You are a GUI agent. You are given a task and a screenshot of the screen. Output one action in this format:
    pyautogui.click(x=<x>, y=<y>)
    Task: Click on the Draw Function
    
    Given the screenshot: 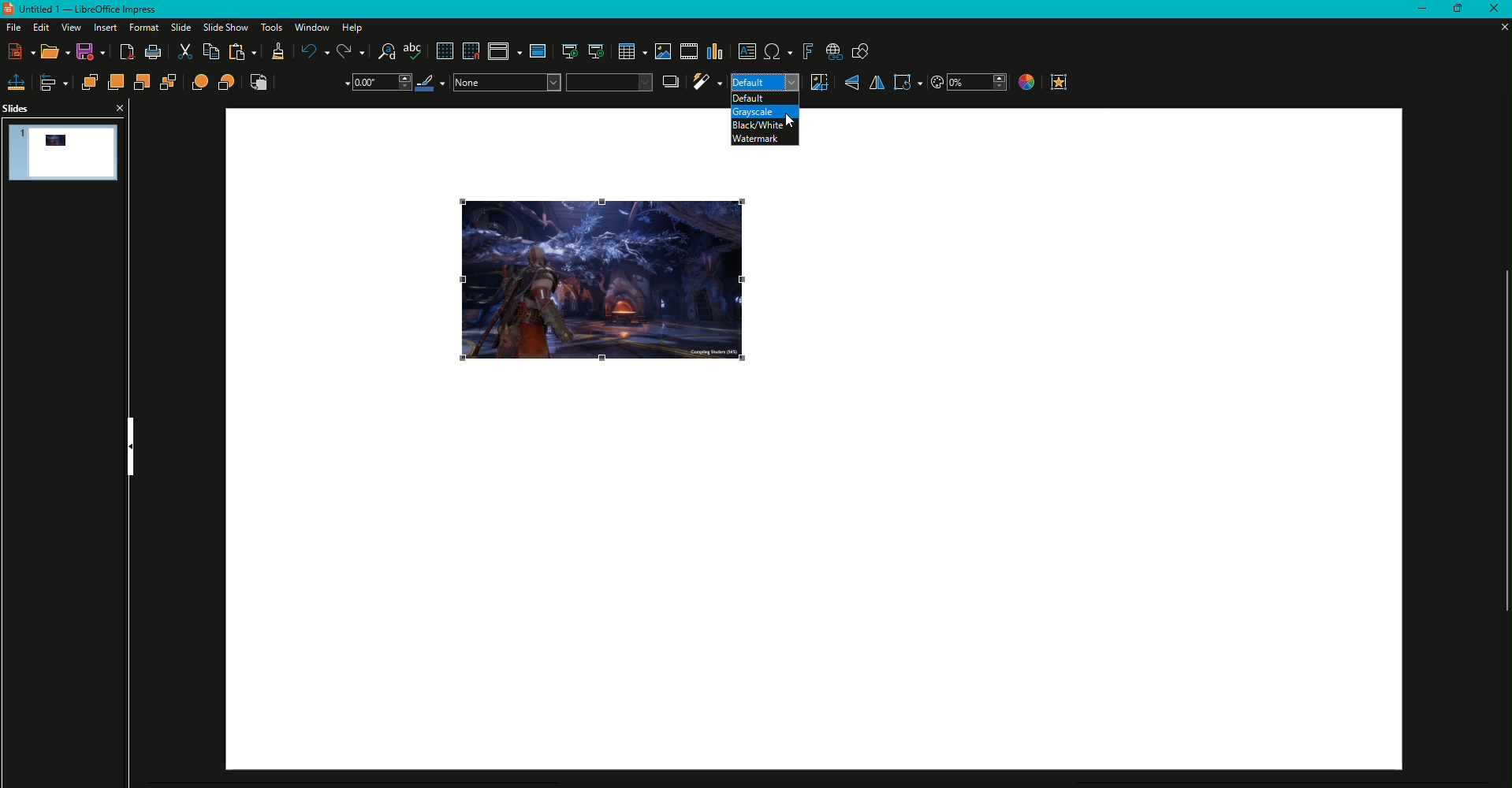 What is the action you would take?
    pyautogui.click(x=861, y=53)
    